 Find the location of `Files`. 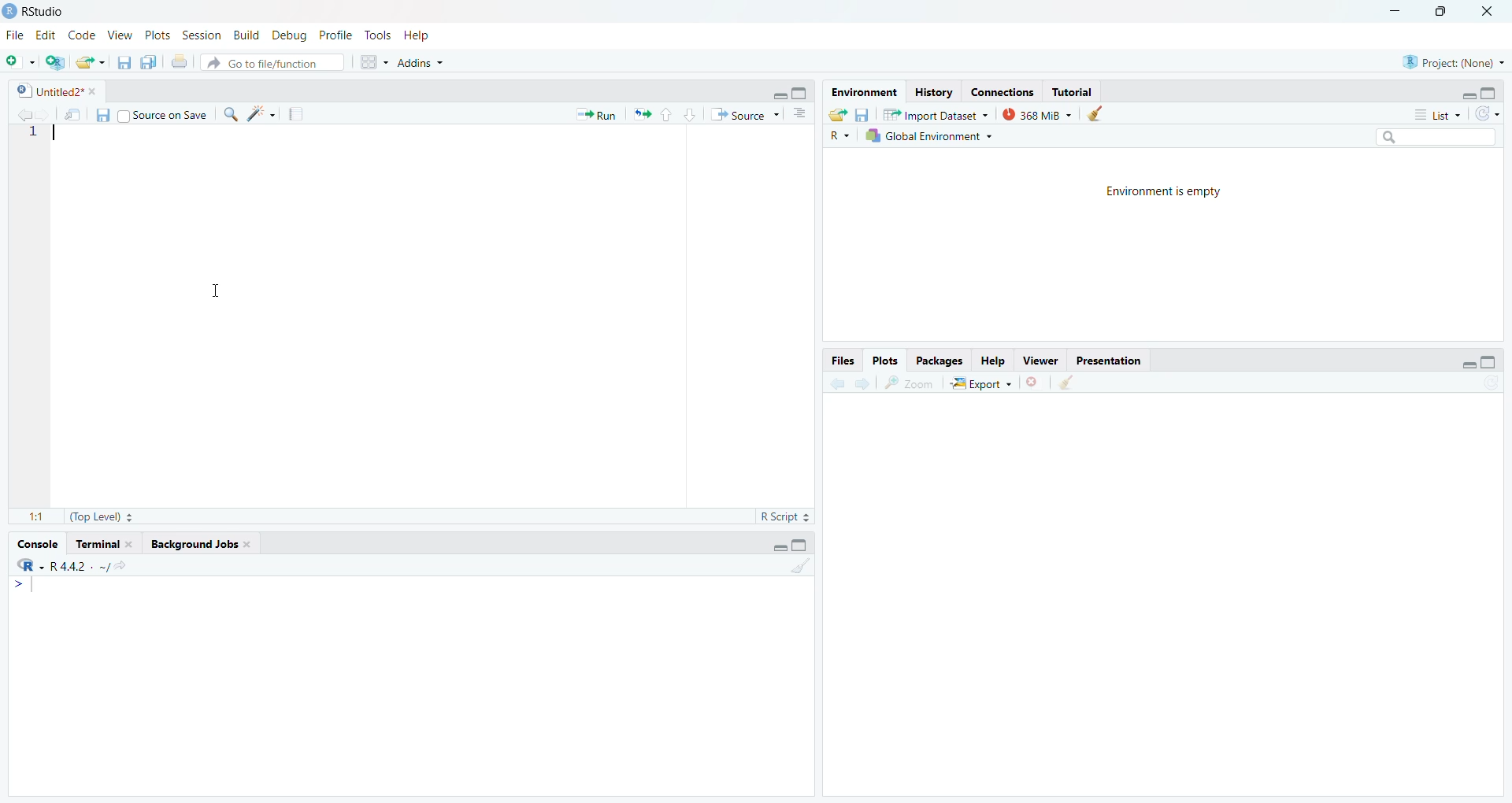

Files is located at coordinates (835, 361).